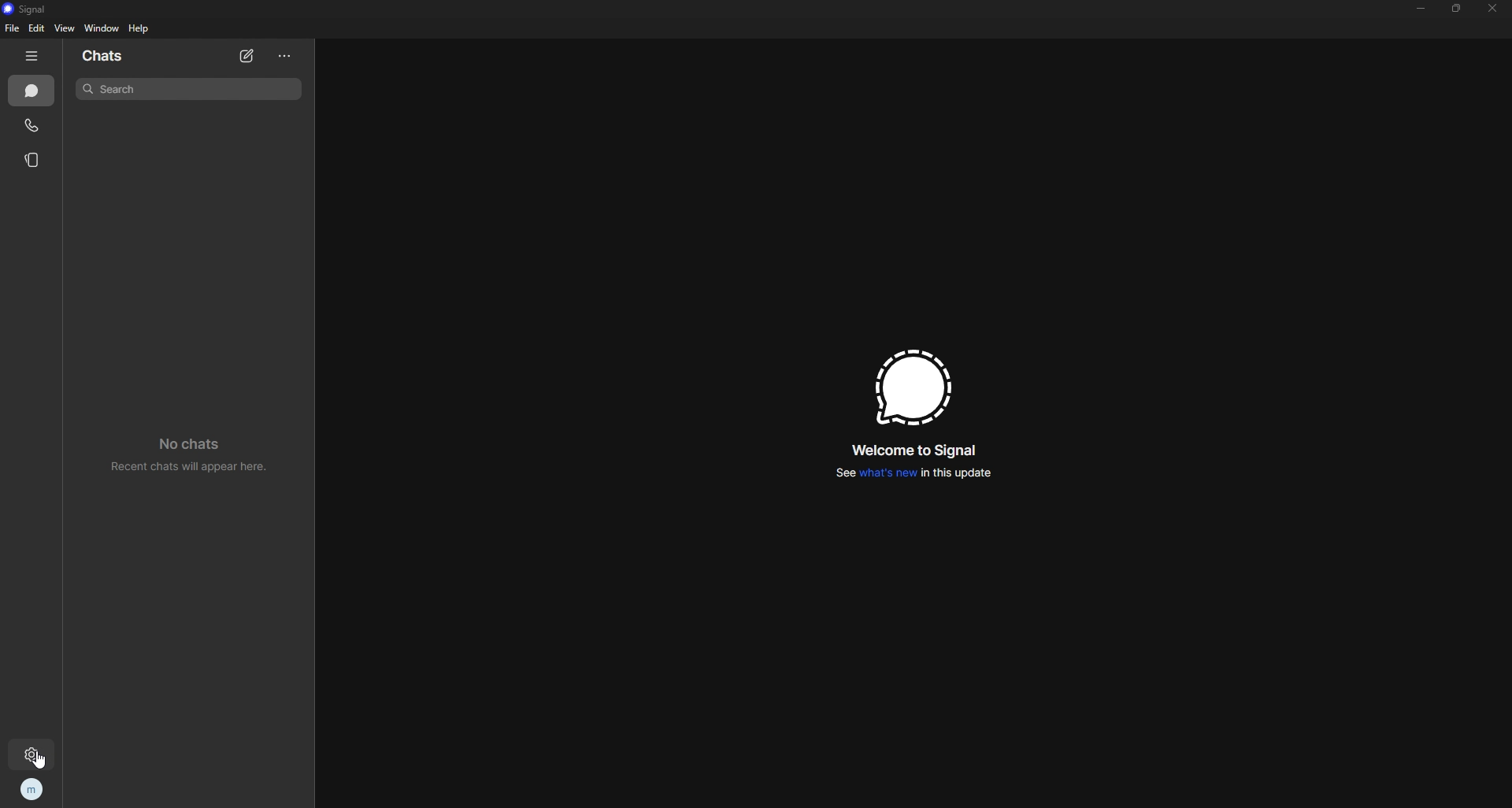  What do you see at coordinates (139, 28) in the screenshot?
I see `help` at bounding box center [139, 28].